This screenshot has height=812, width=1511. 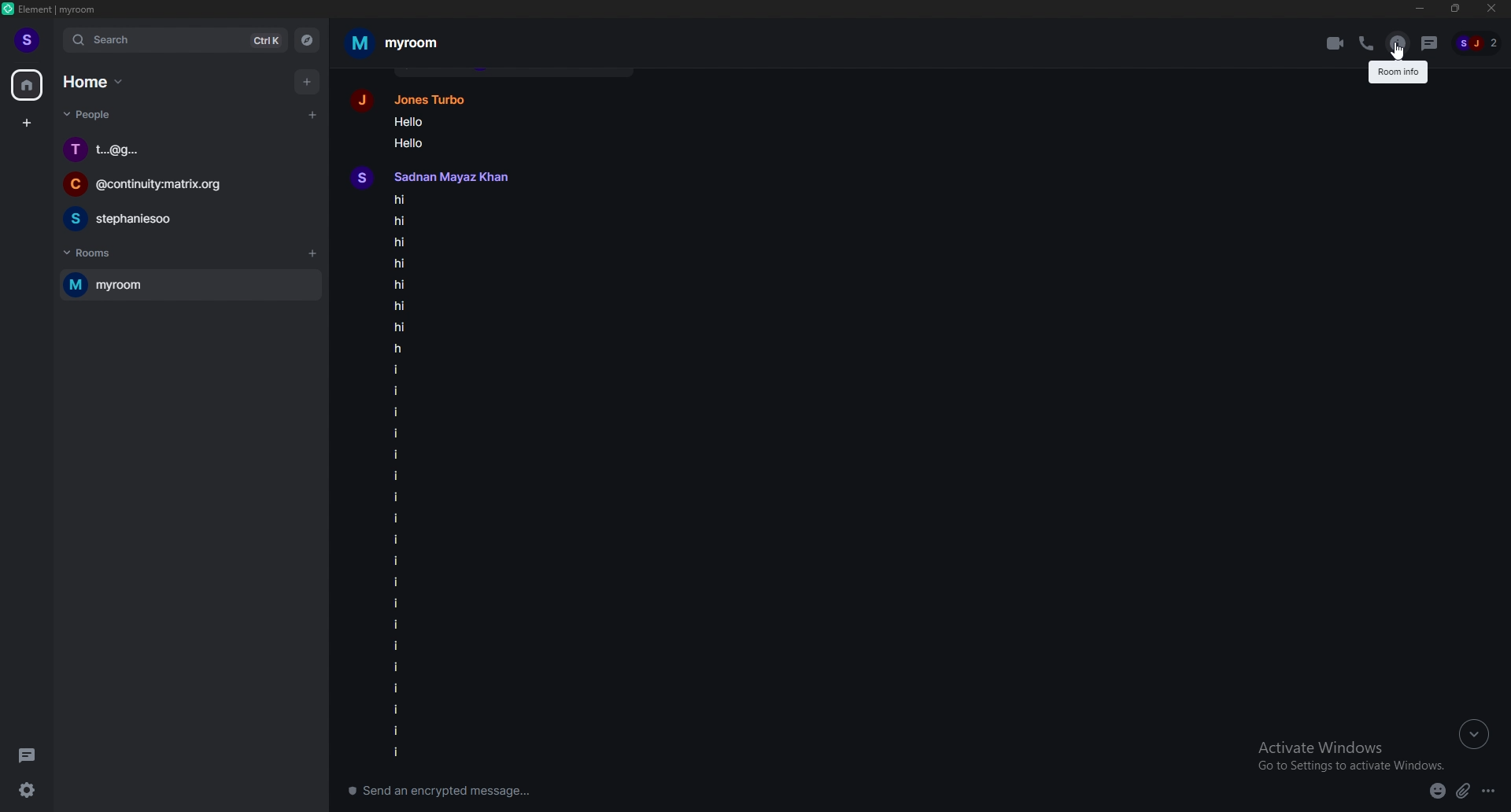 What do you see at coordinates (449, 477) in the screenshot?
I see `texts` at bounding box center [449, 477].